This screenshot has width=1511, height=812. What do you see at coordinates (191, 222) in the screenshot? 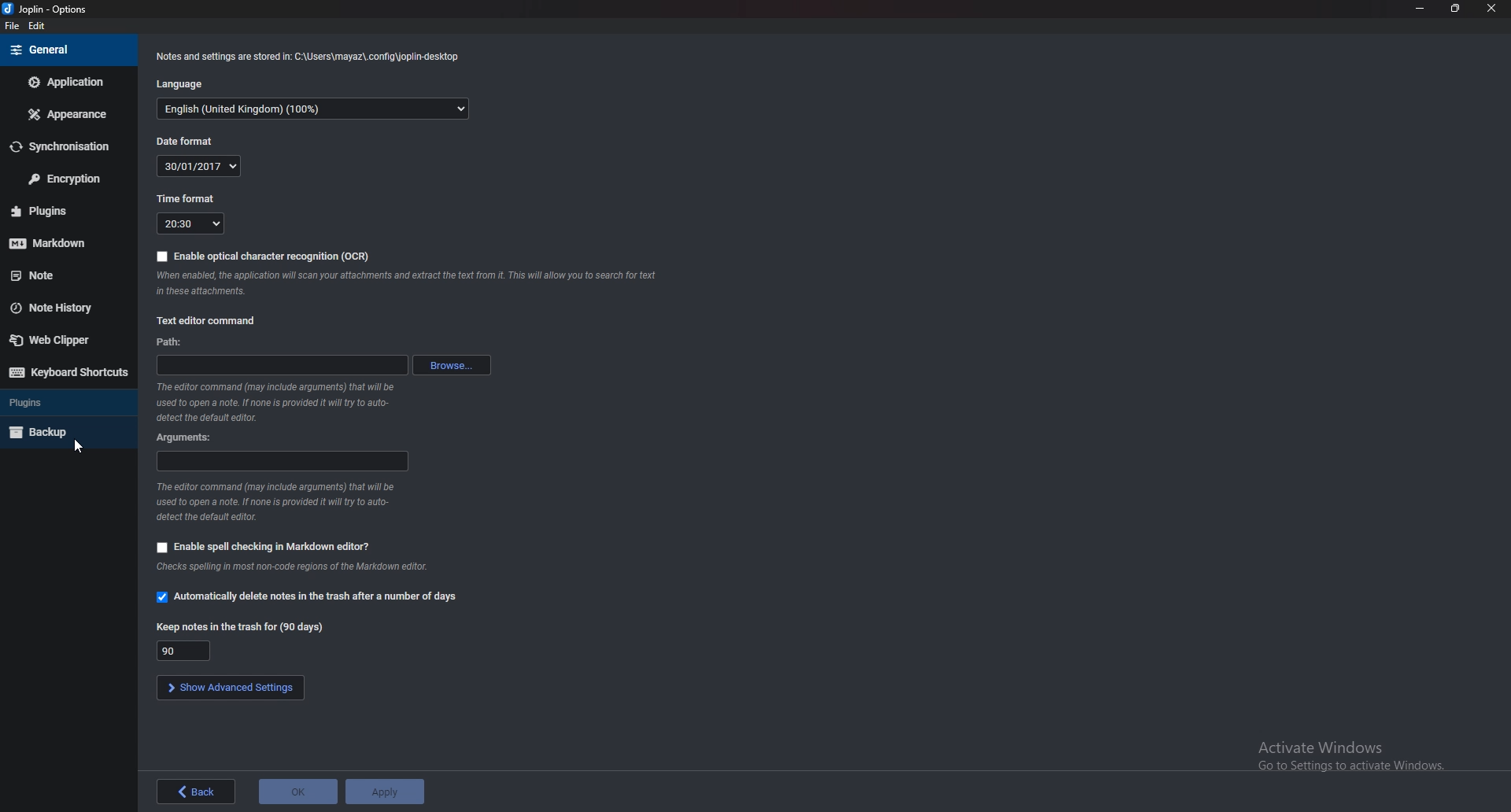
I see `Time format` at bounding box center [191, 222].